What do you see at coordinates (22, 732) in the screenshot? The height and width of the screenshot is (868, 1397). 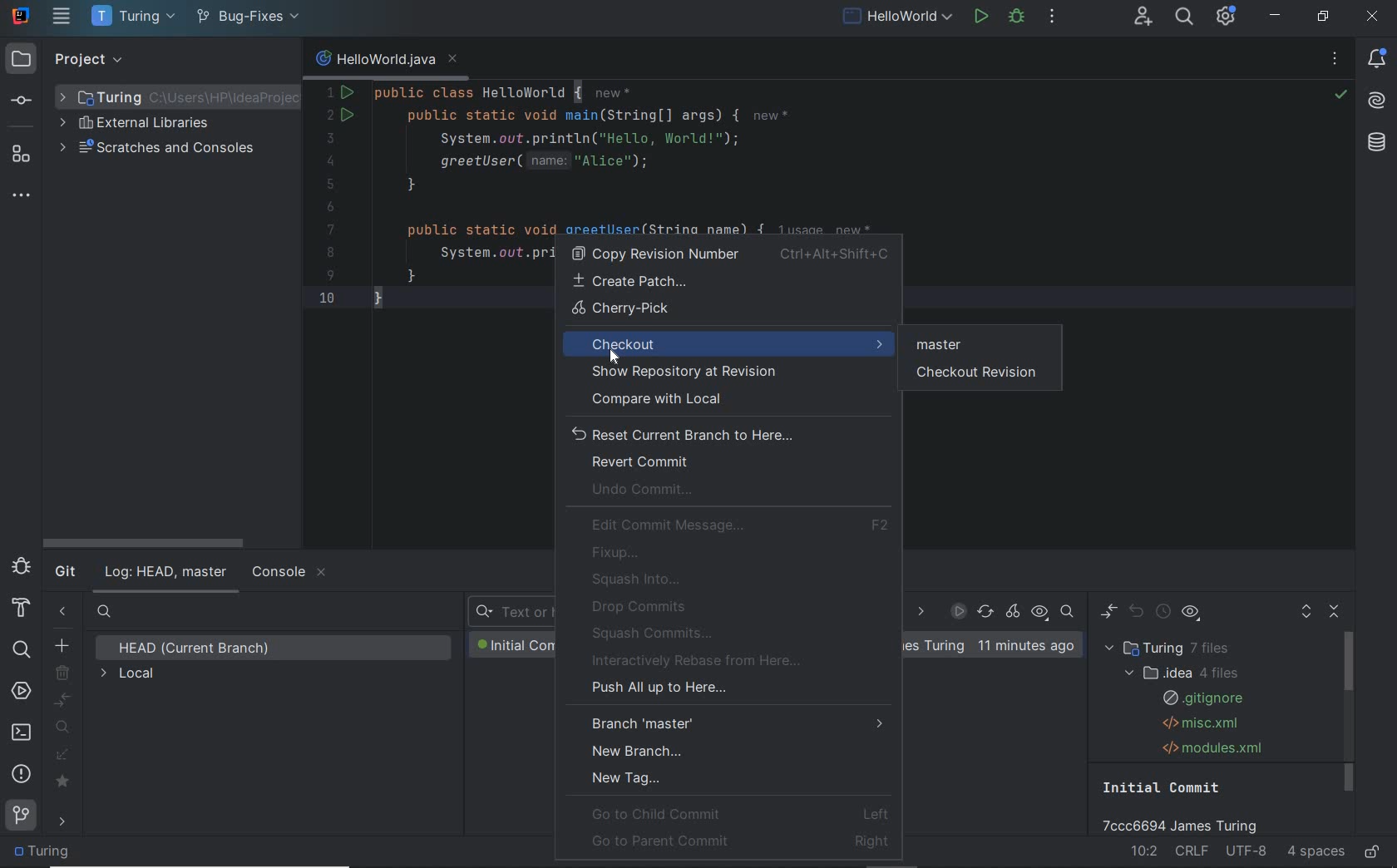 I see `terminal` at bounding box center [22, 732].